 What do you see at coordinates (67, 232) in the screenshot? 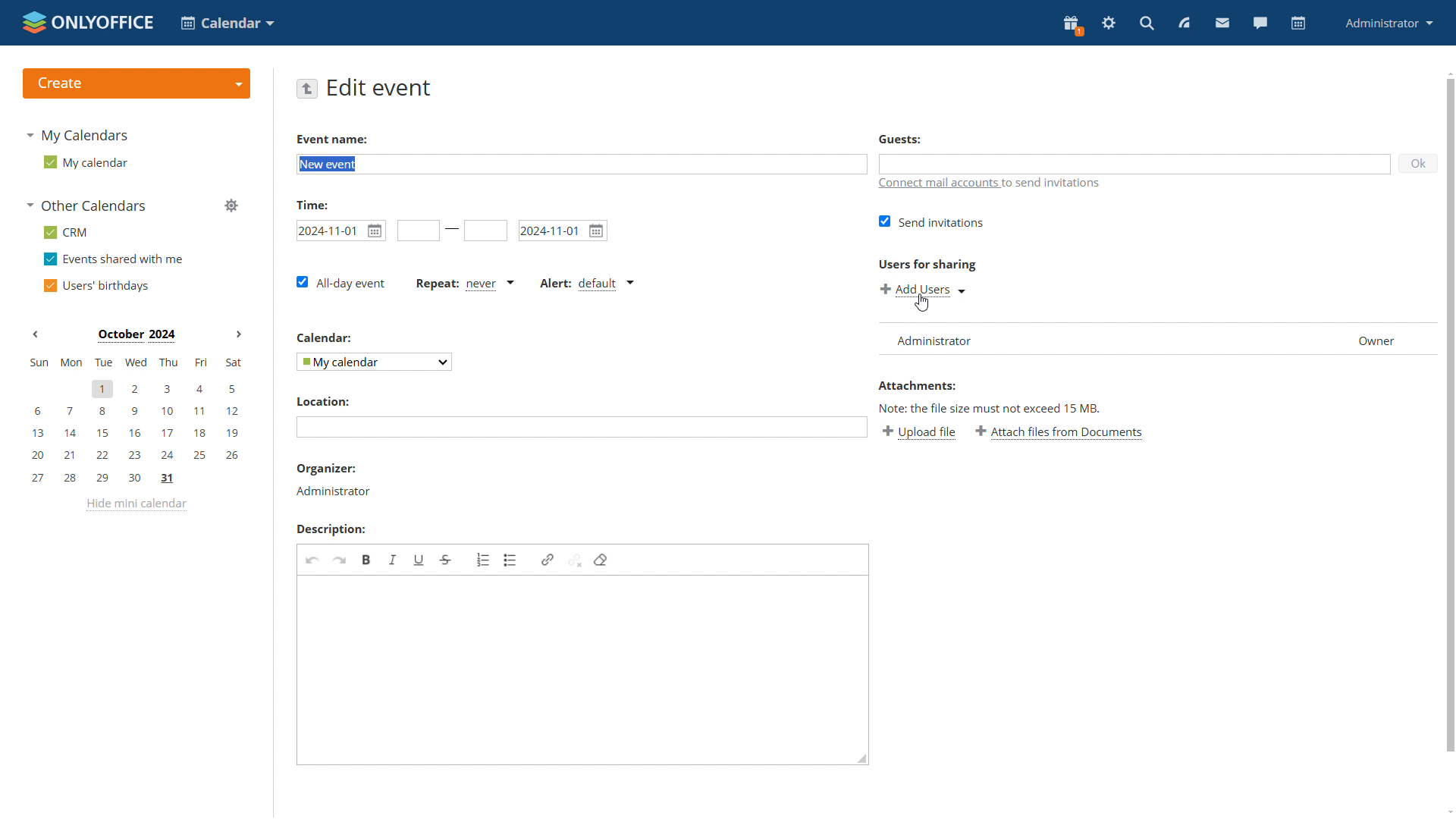
I see `crm` at bounding box center [67, 232].